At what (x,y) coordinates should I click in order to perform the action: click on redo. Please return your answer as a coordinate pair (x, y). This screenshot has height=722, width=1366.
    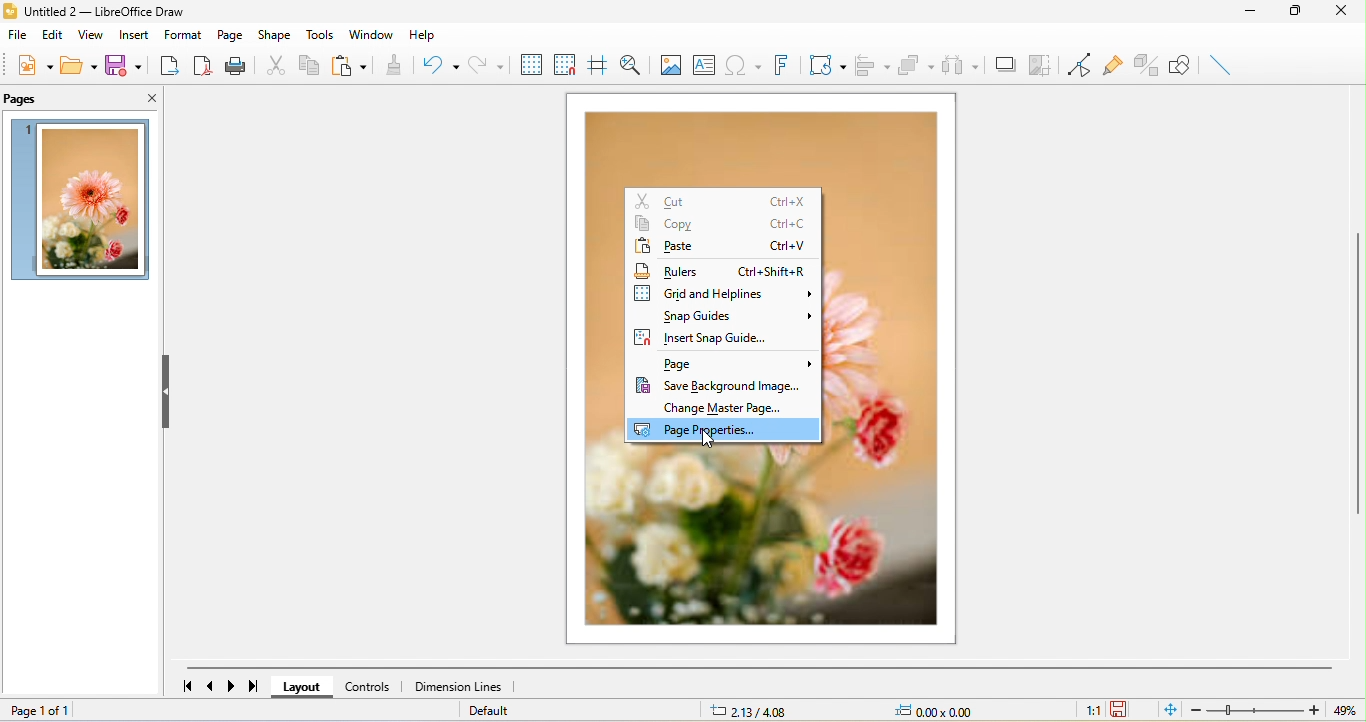
    Looking at the image, I should click on (490, 61).